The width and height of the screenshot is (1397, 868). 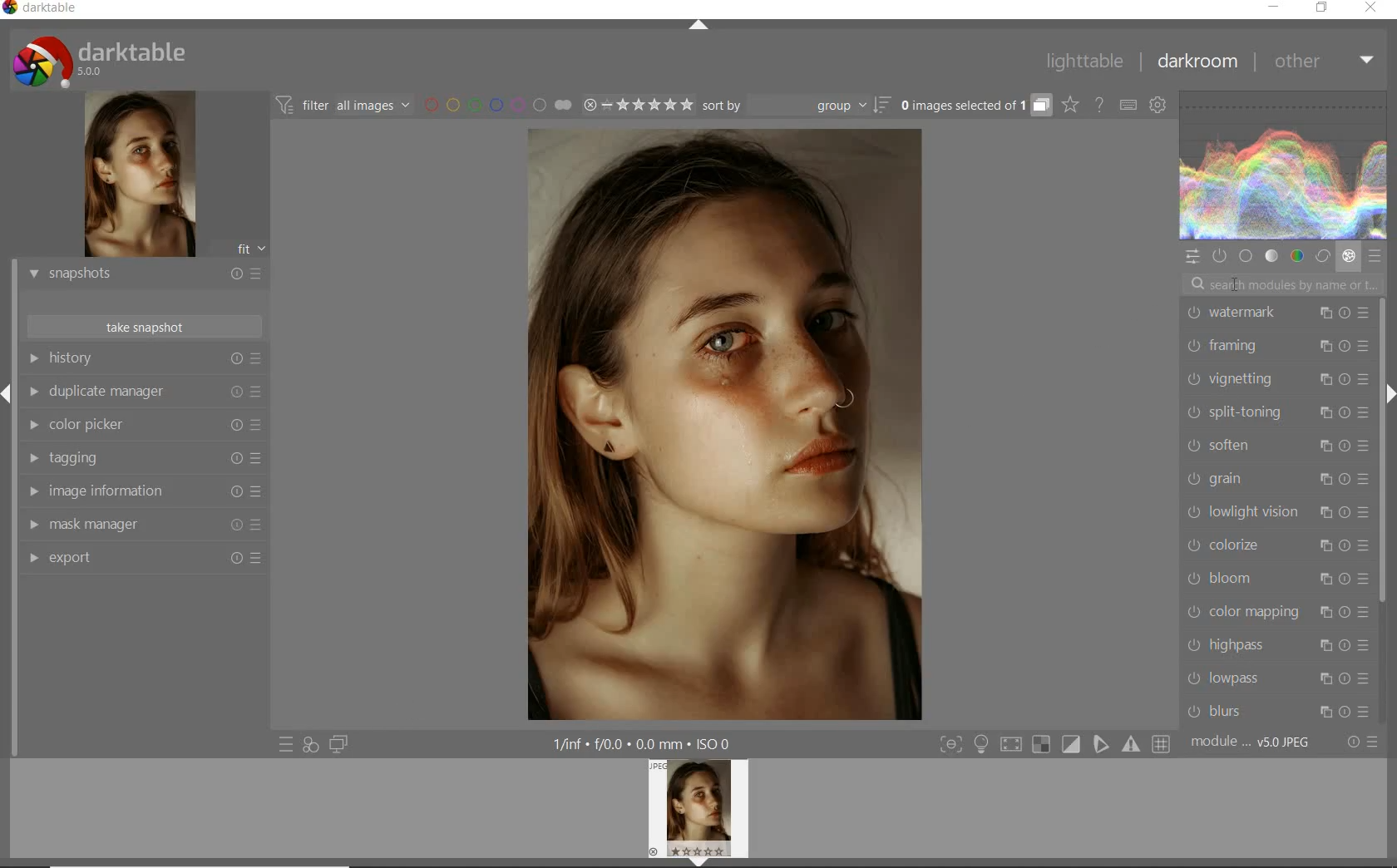 I want to click on quick access panel, so click(x=1193, y=257).